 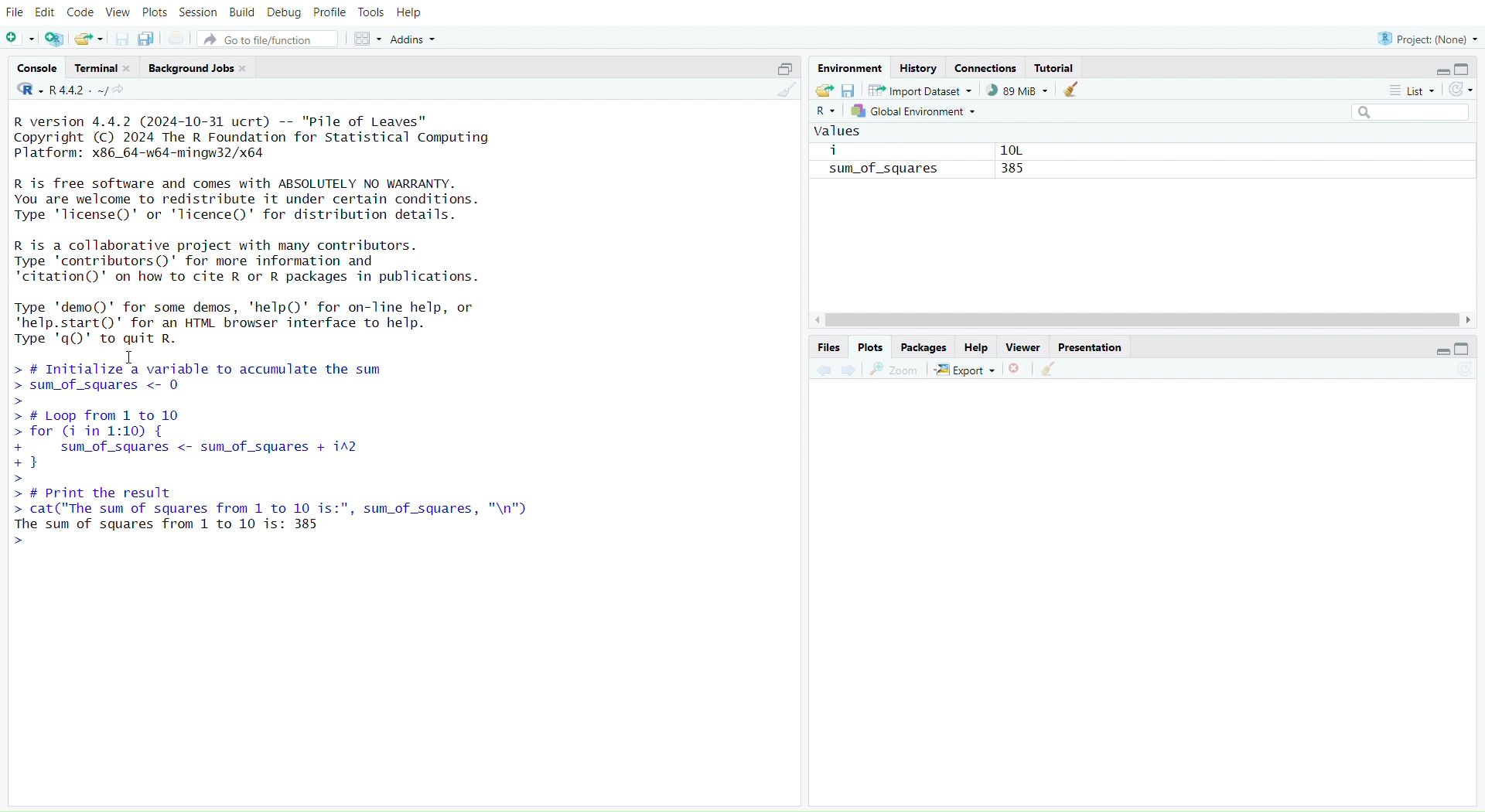 I want to click on save workspace, so click(x=850, y=90).